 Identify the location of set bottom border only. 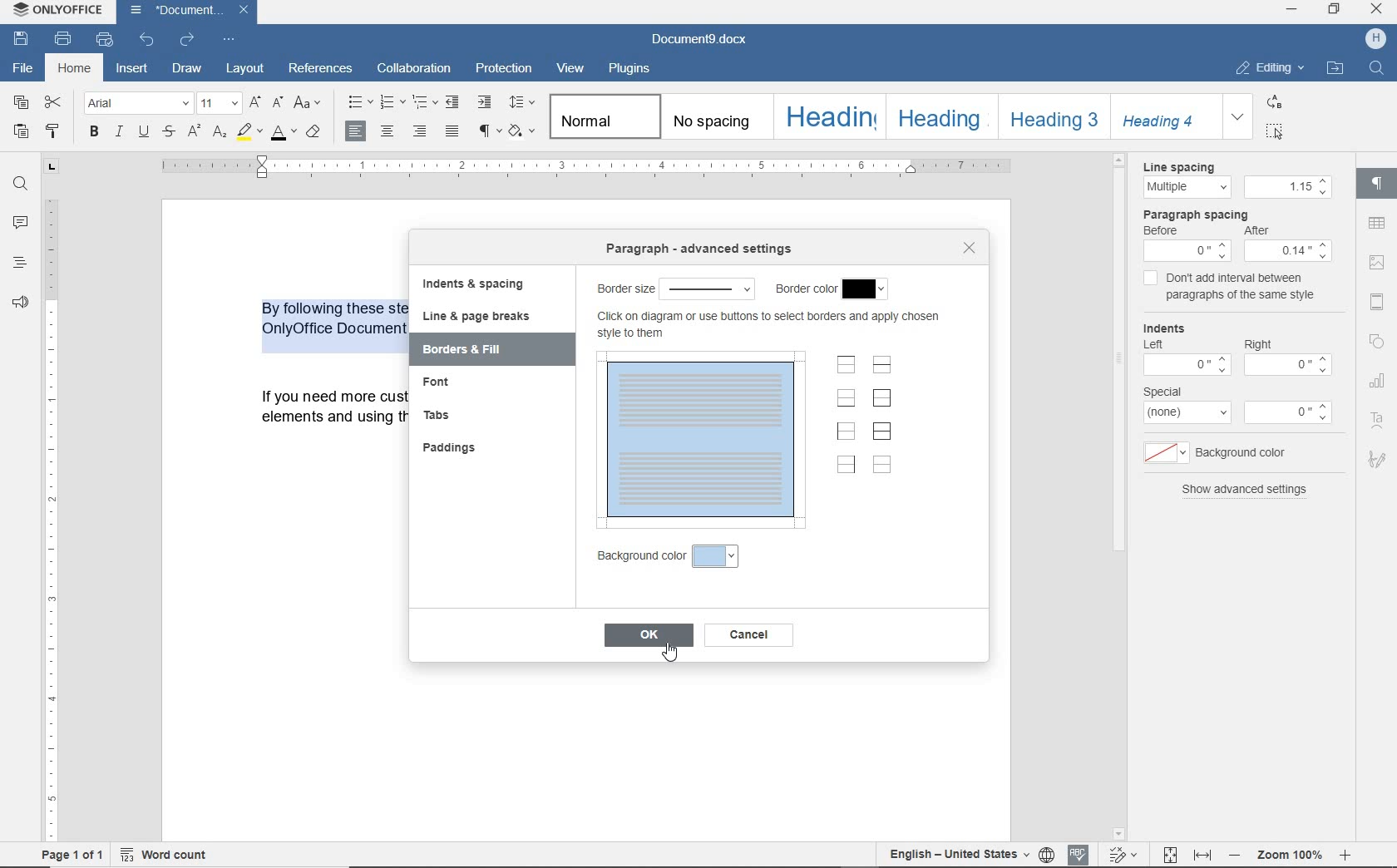
(846, 397).